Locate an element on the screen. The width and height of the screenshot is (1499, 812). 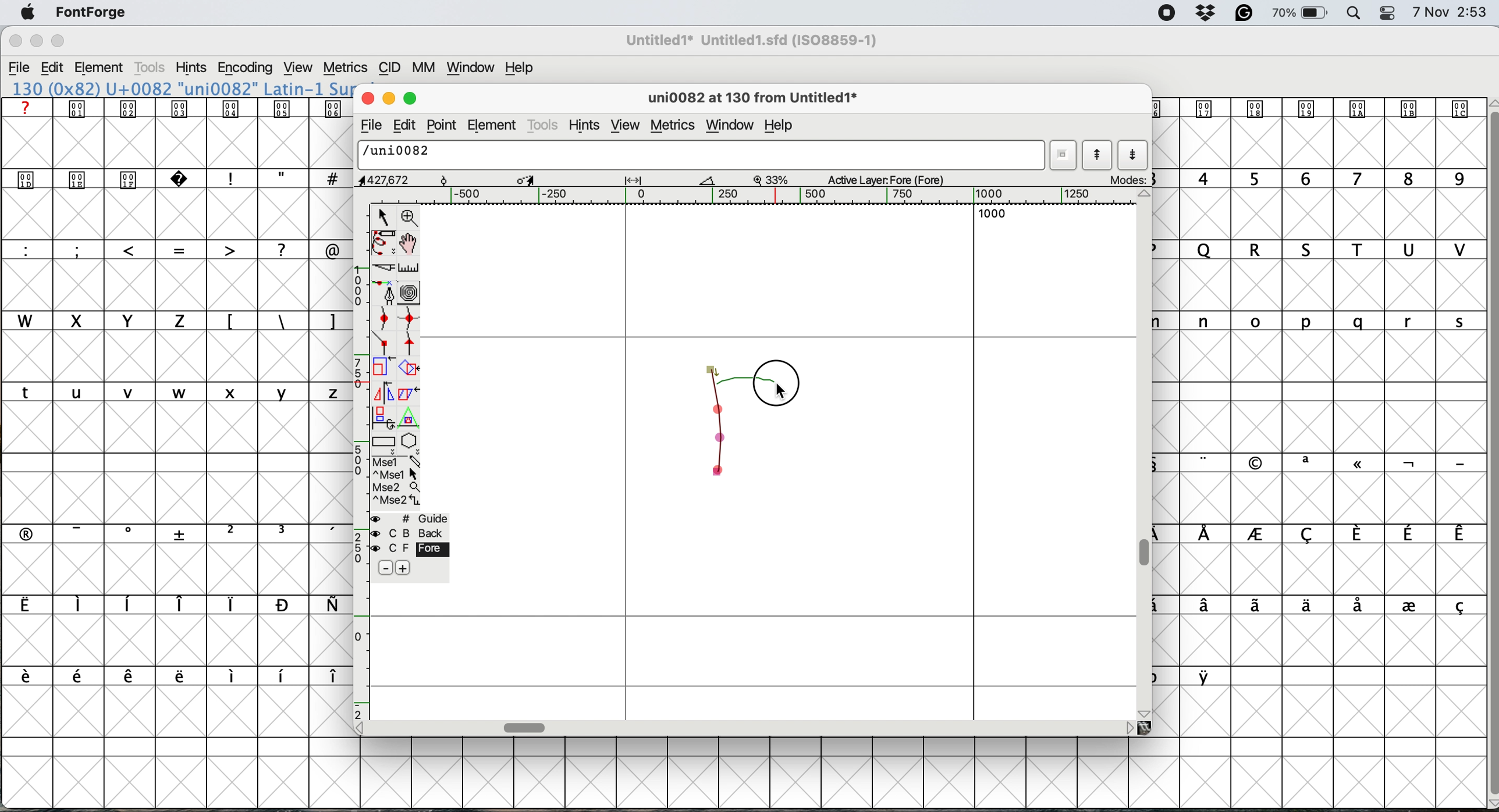
spotlight search is located at coordinates (1355, 13).